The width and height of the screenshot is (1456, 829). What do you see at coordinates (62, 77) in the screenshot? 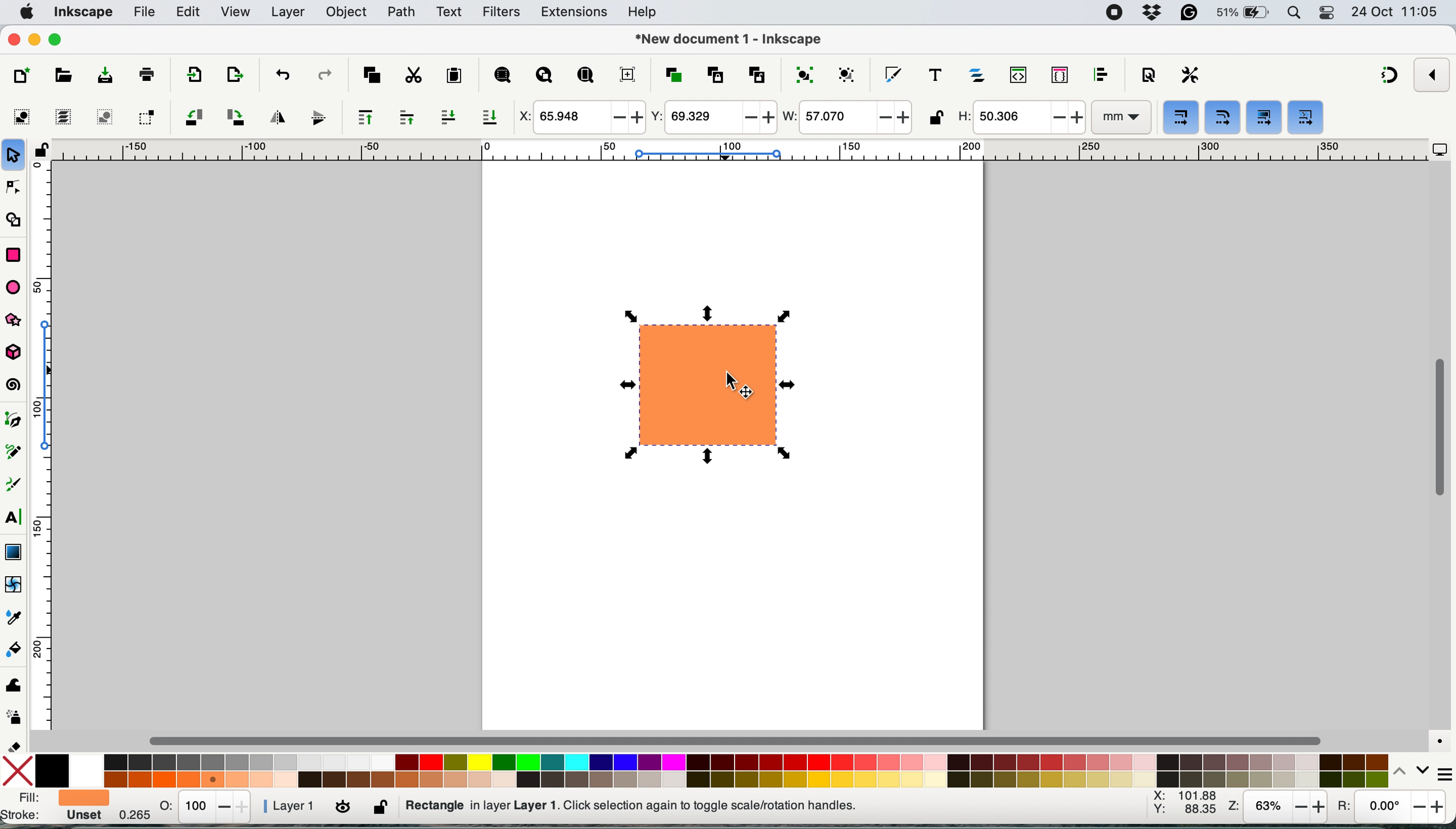
I see `open` at bounding box center [62, 77].